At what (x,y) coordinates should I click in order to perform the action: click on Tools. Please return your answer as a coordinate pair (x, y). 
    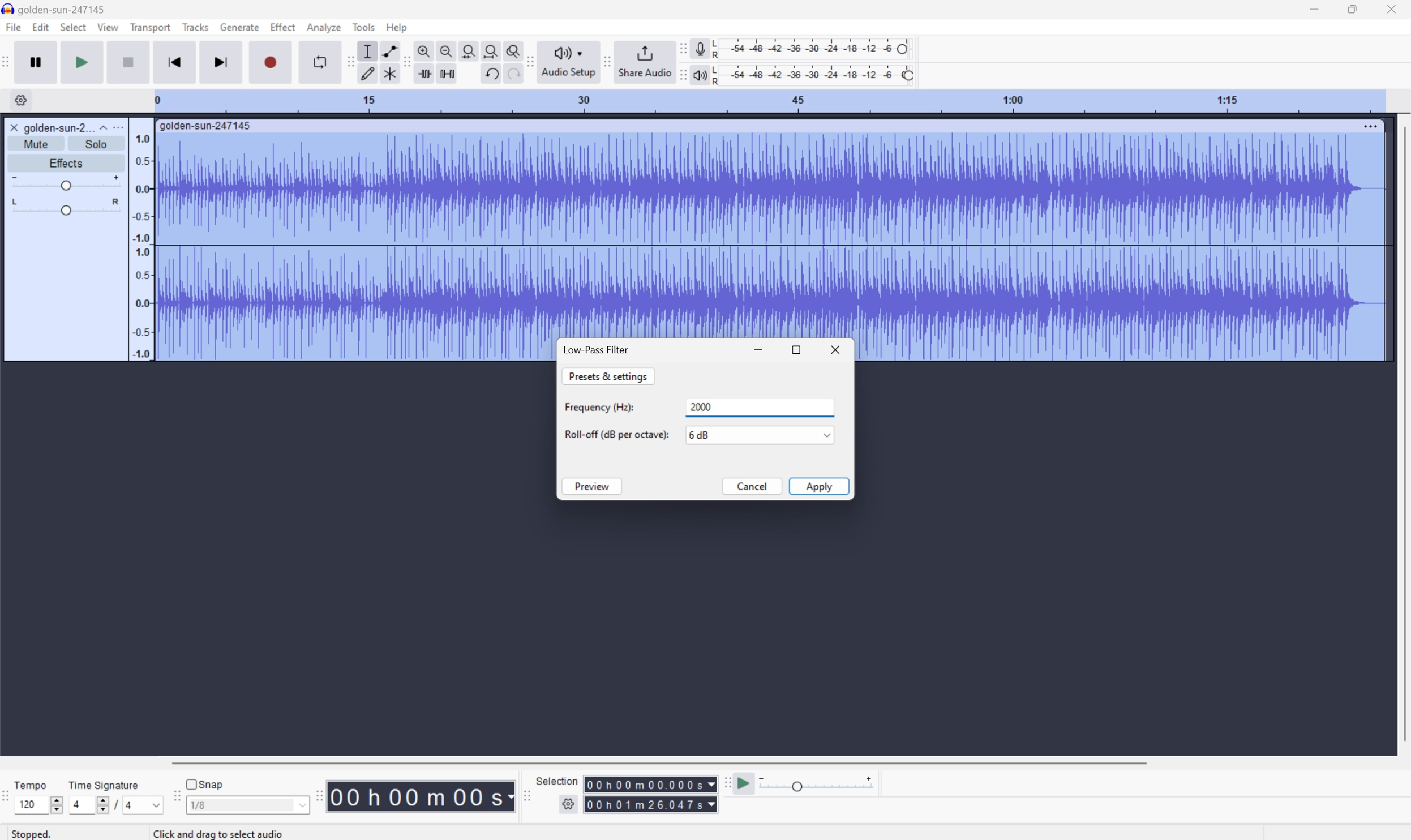
    Looking at the image, I should click on (363, 27).